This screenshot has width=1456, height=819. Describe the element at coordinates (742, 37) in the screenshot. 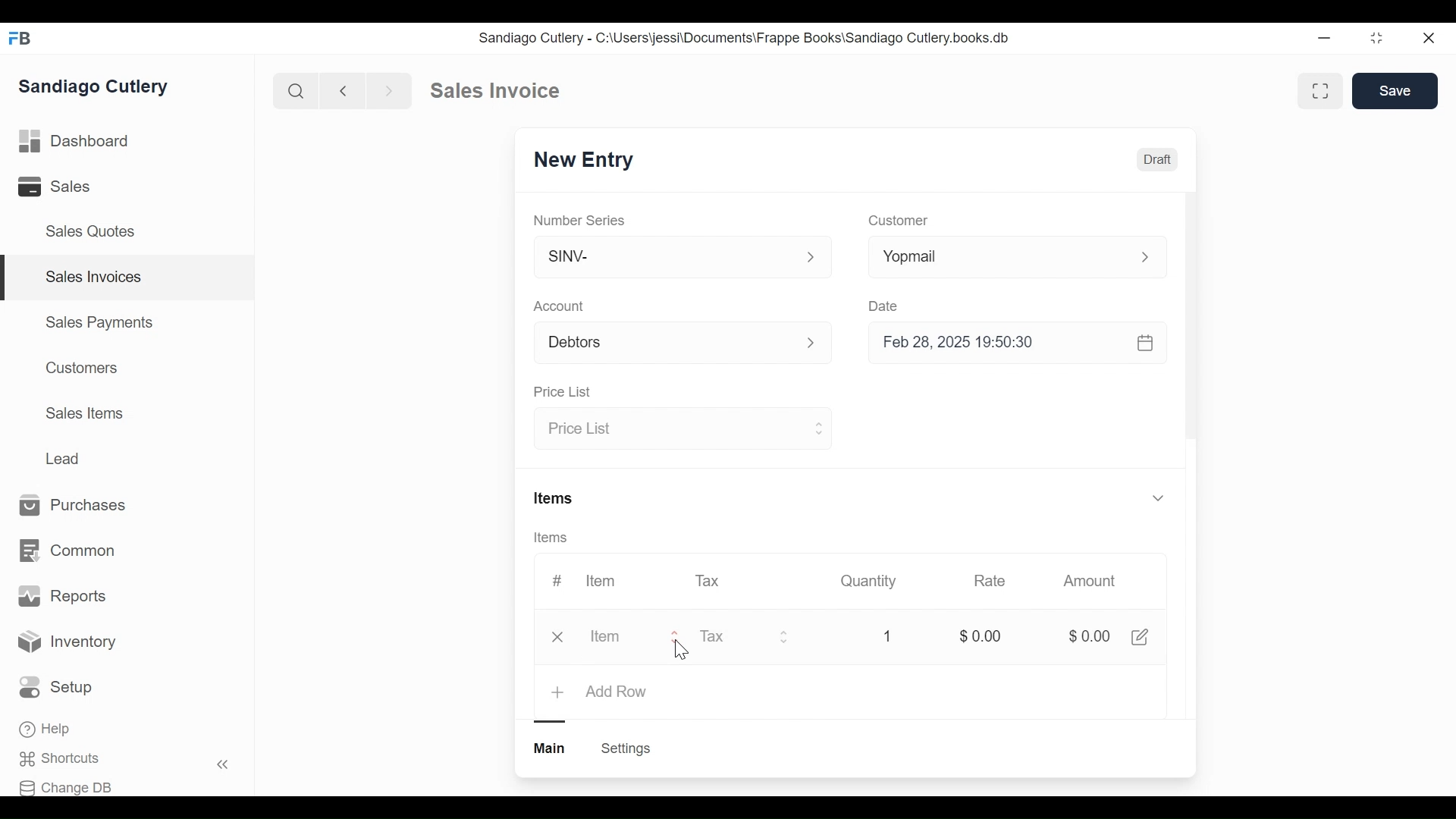

I see `Sandiago Cutlery - C:\Users\jessi\Documents\Frappe Books\Sandiago Cutlery.books.db` at that location.